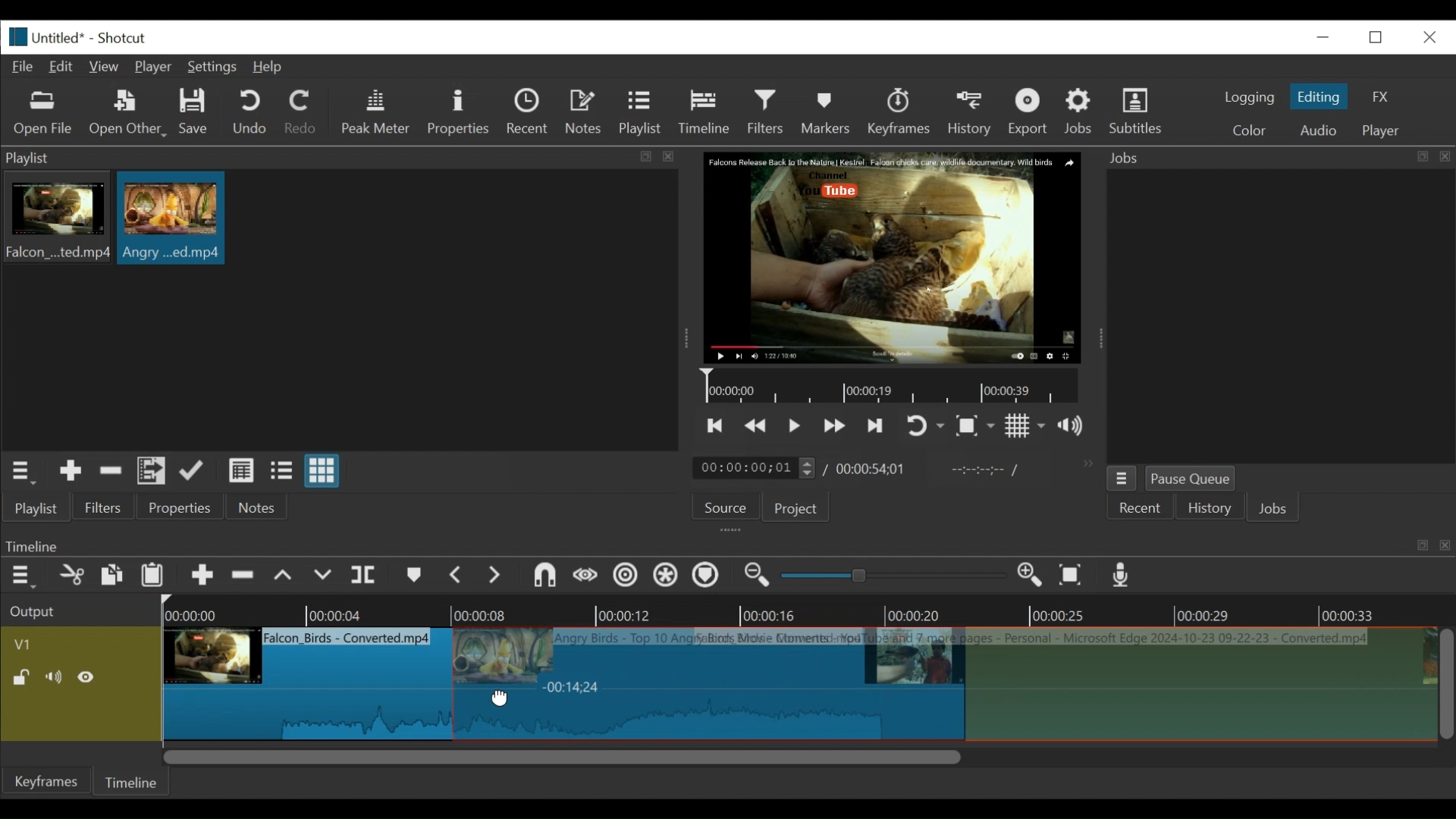  I want to click on current duration, so click(756, 469).